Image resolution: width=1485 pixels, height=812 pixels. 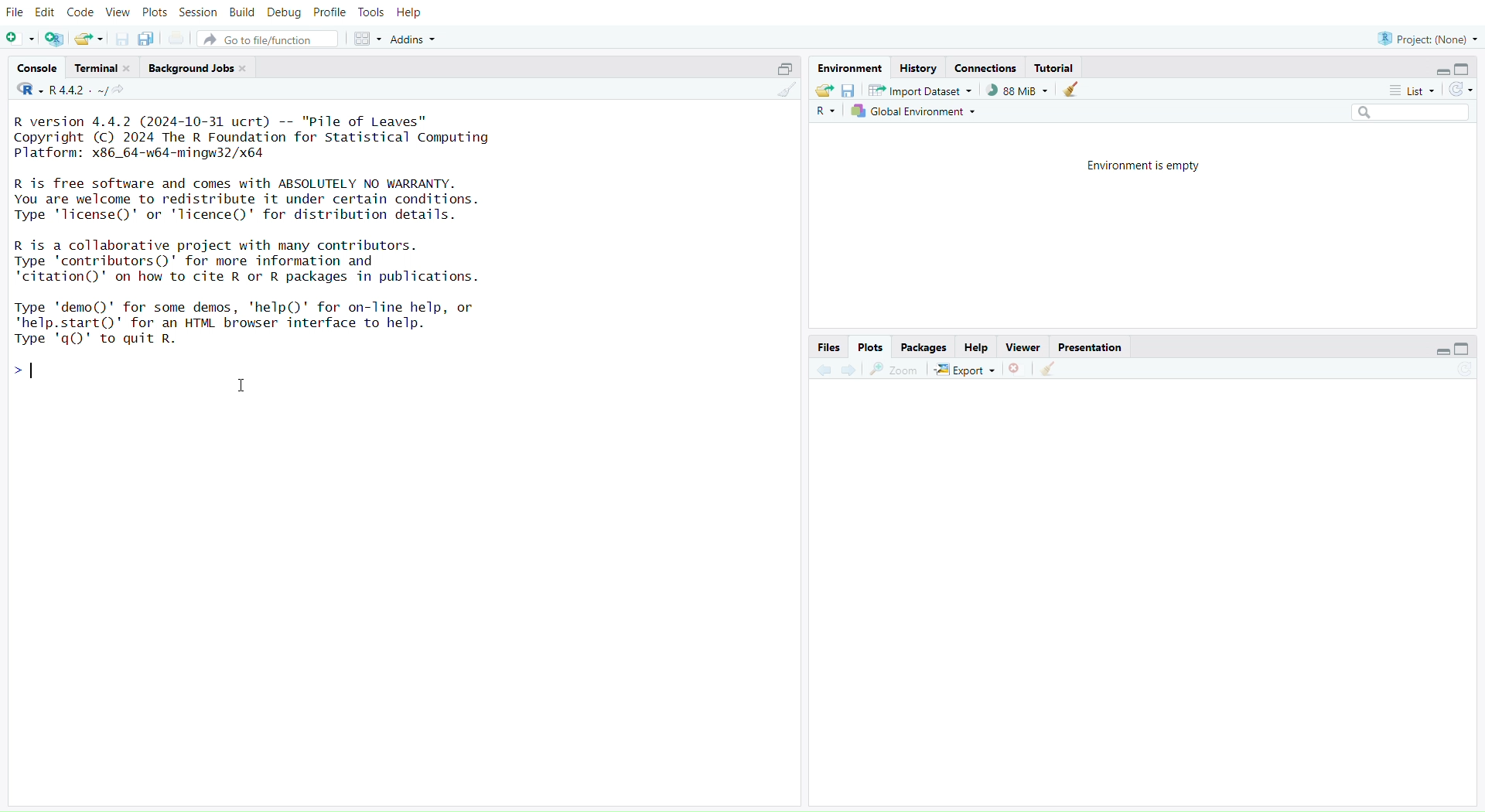 I want to click on environment is empty, so click(x=1139, y=168).